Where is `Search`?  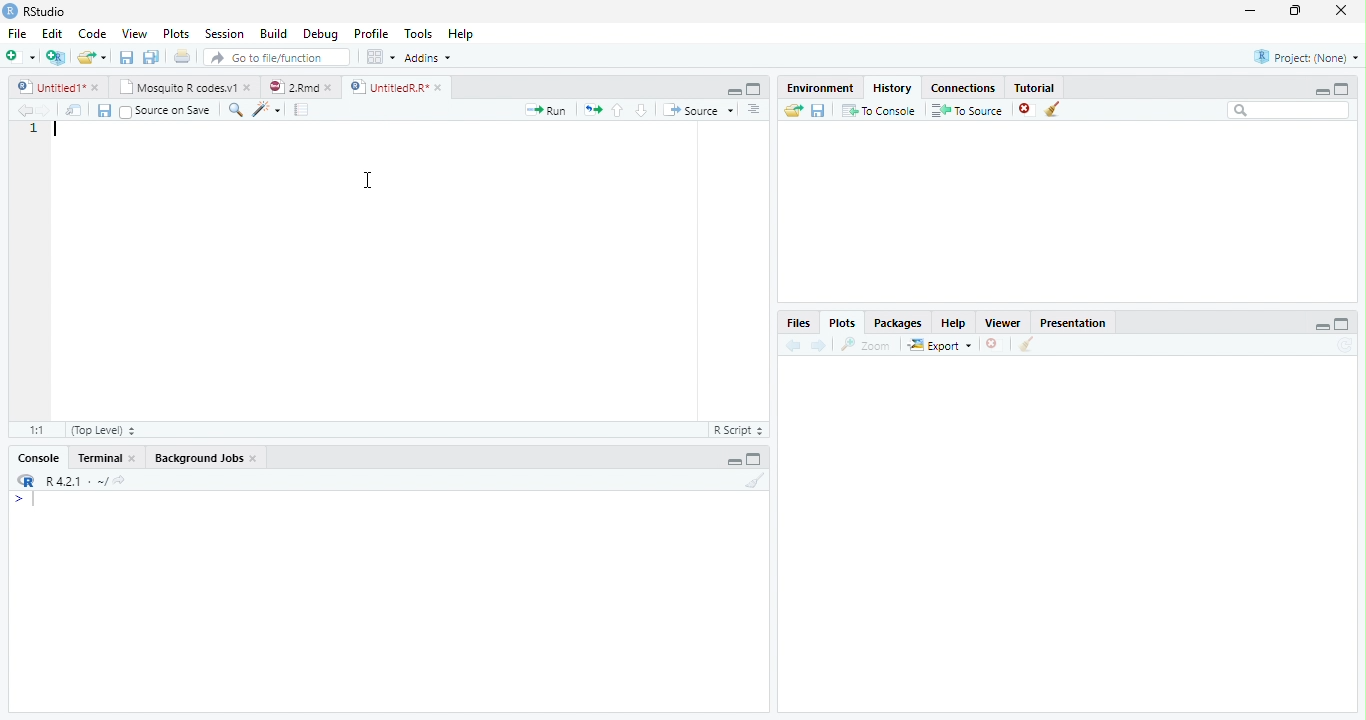
Search is located at coordinates (1289, 110).